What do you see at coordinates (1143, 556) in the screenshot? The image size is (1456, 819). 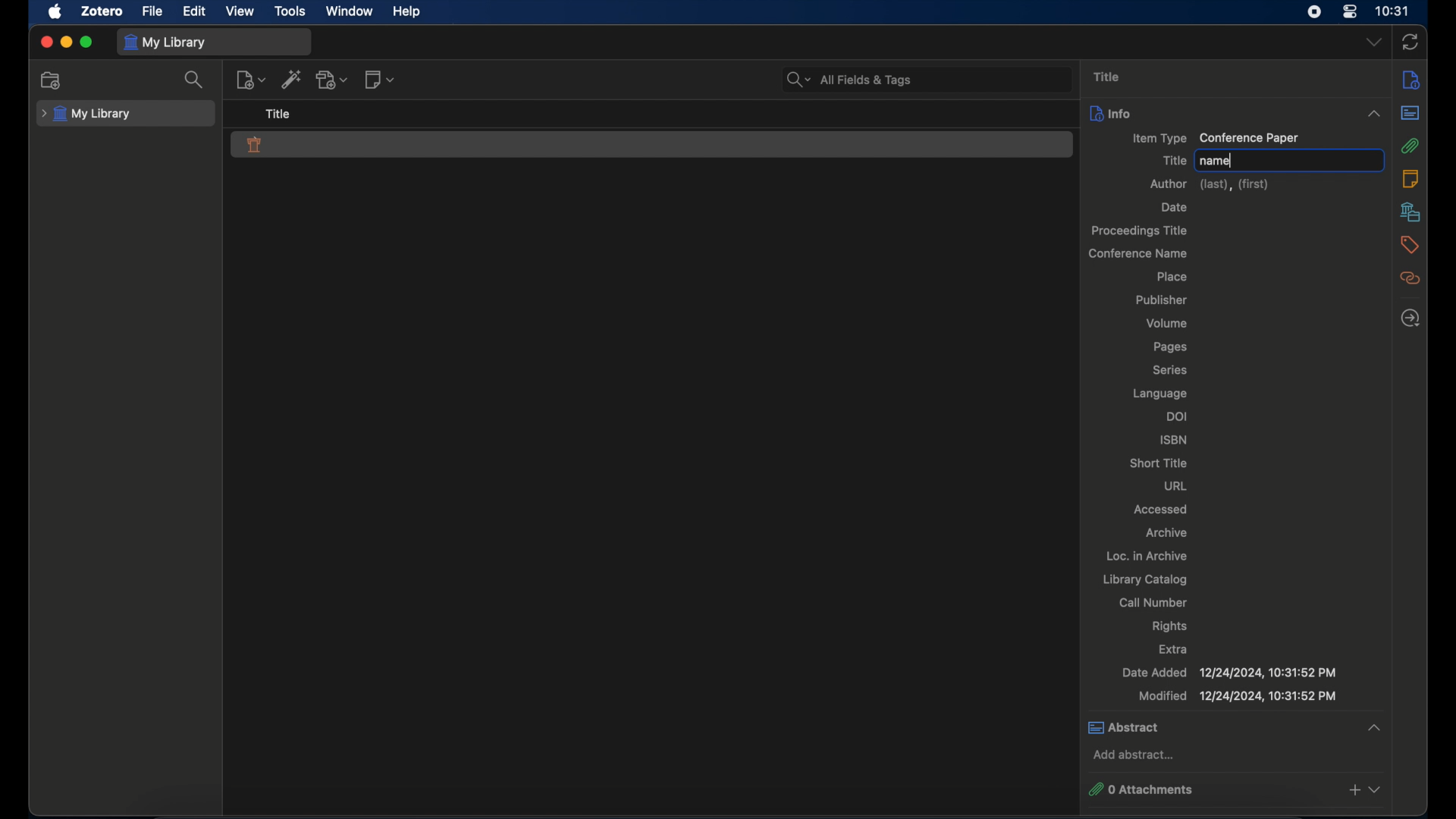 I see `oc. in archive` at bounding box center [1143, 556].